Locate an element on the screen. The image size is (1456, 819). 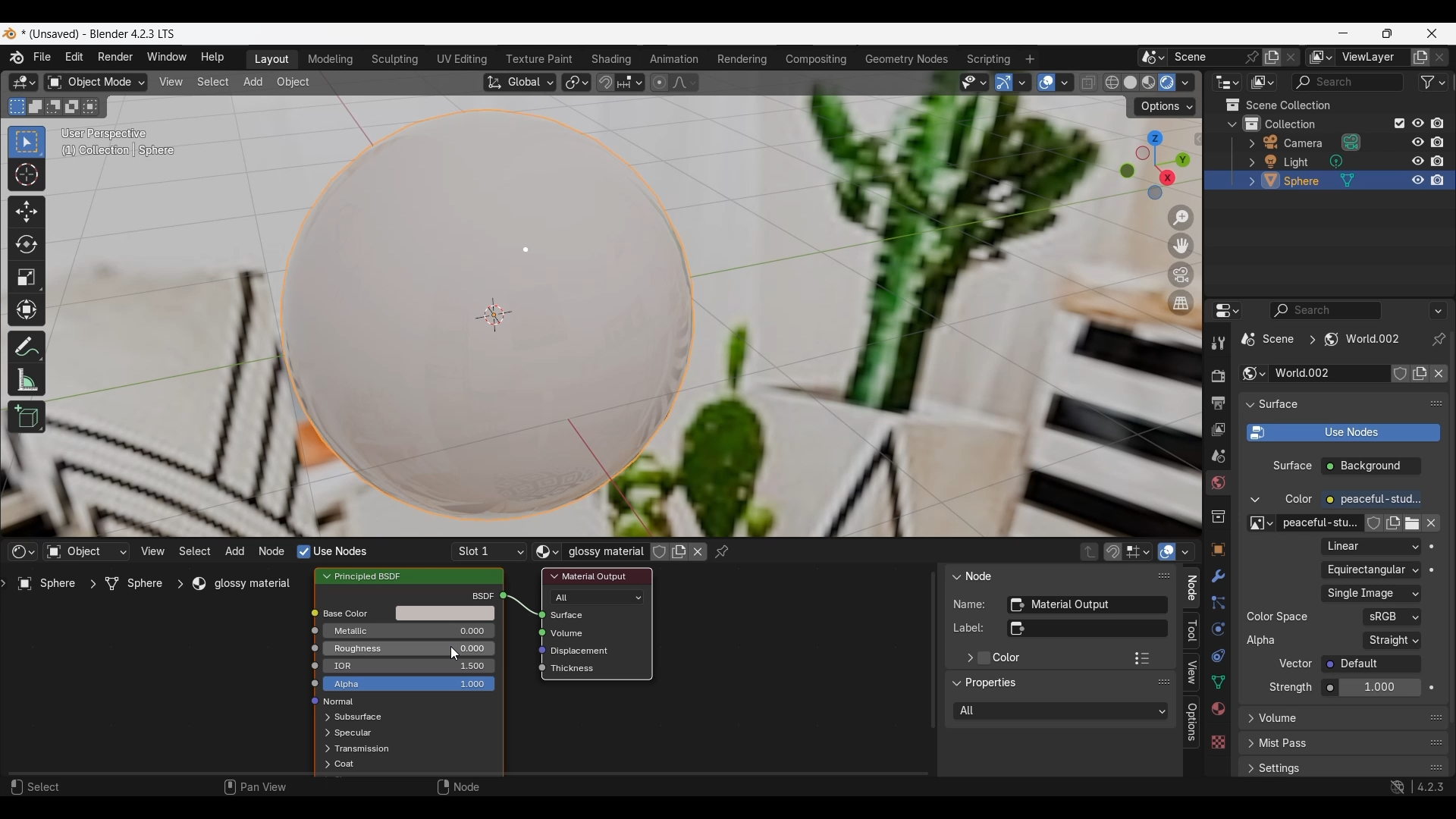
Amount of roughness in base is located at coordinates (409, 648).